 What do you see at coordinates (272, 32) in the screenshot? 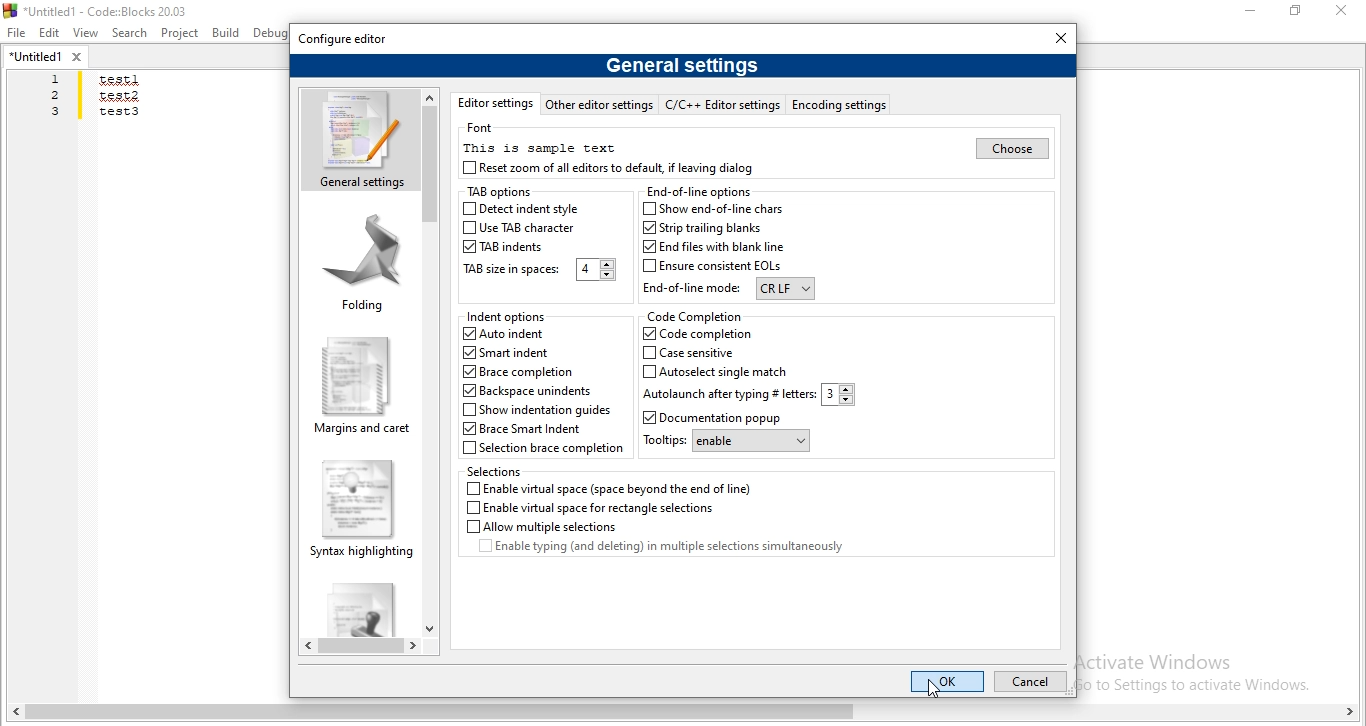
I see `Debug ` at bounding box center [272, 32].